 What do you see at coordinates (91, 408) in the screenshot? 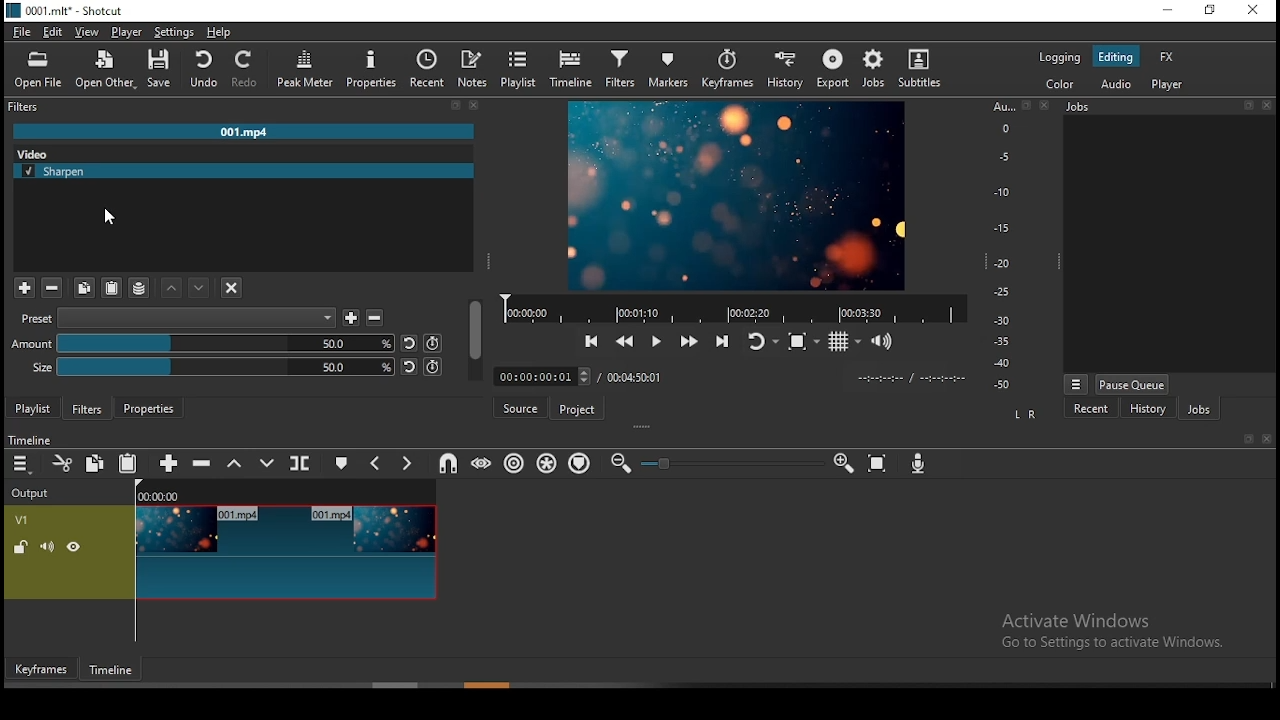
I see `filters` at bounding box center [91, 408].